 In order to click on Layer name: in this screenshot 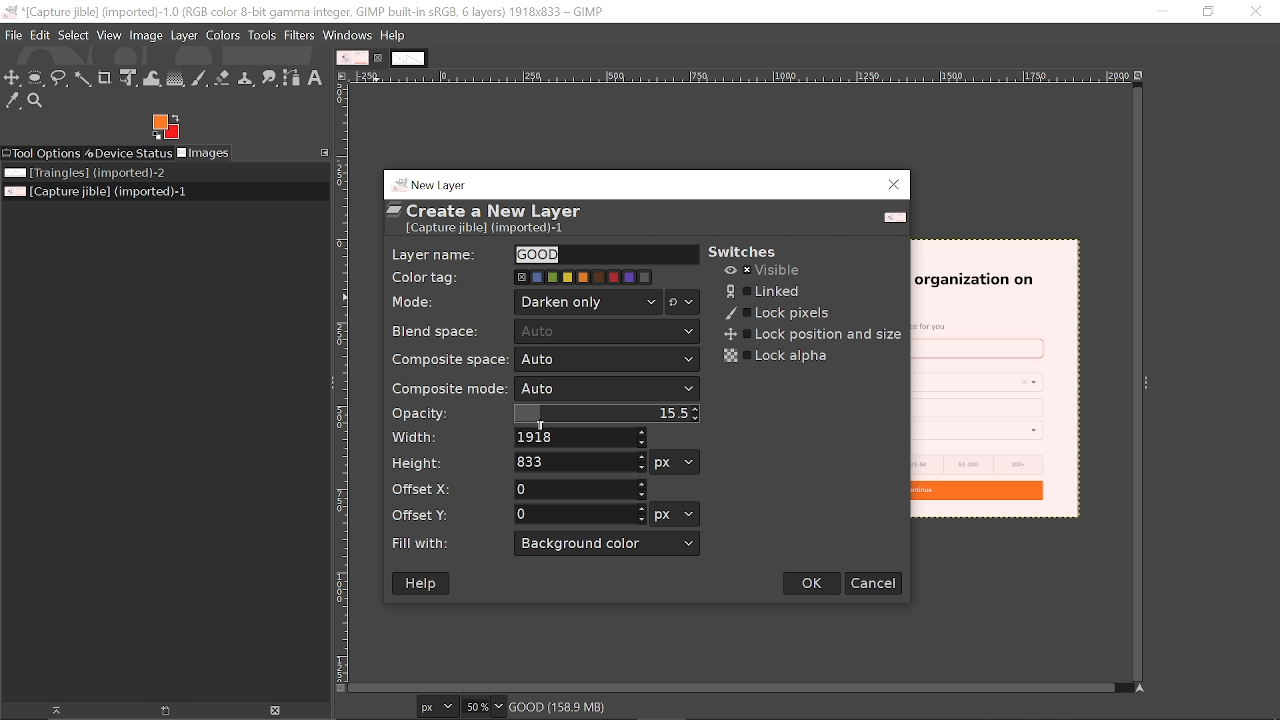, I will do `click(435, 253)`.